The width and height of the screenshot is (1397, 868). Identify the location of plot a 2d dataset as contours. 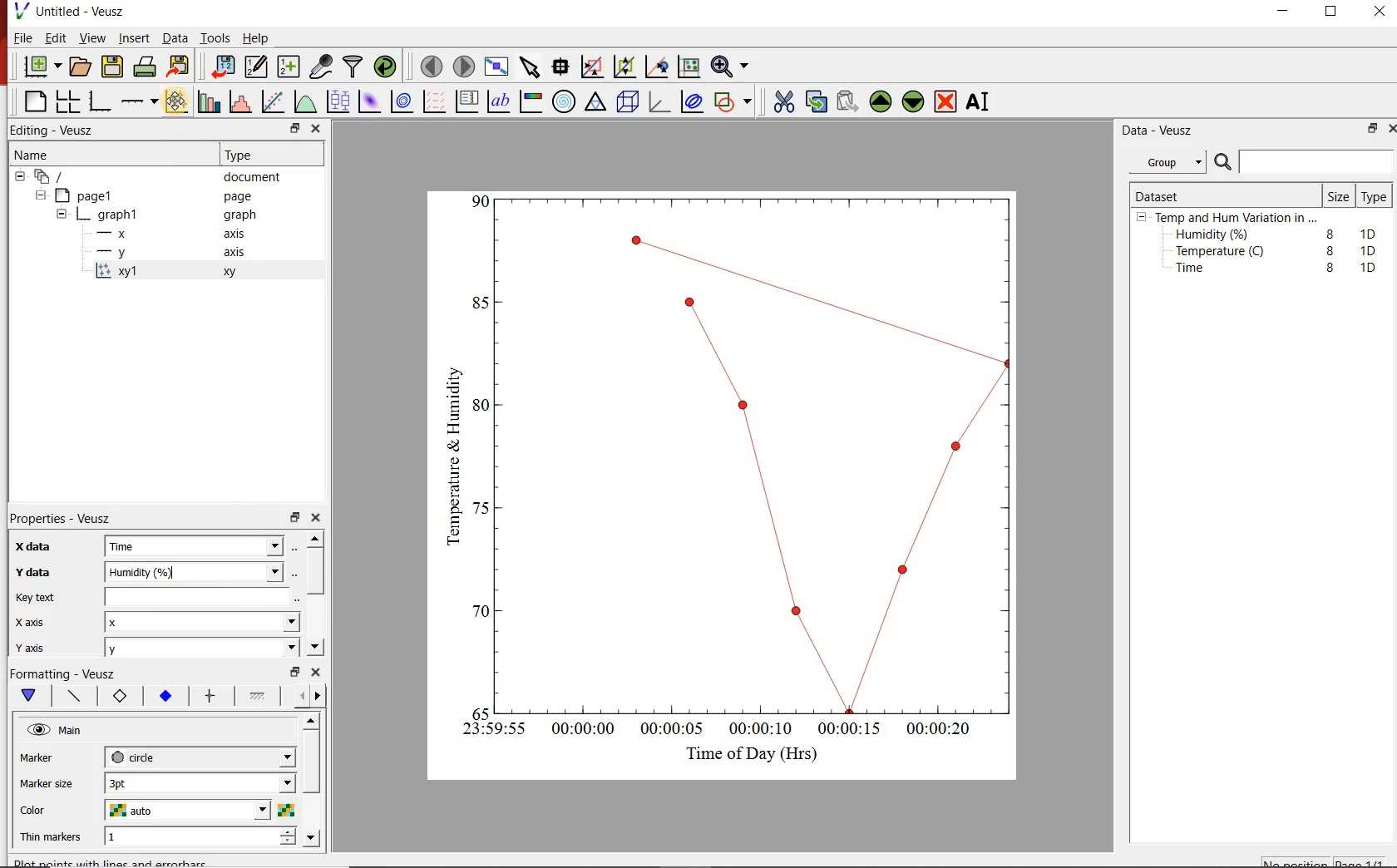
(406, 102).